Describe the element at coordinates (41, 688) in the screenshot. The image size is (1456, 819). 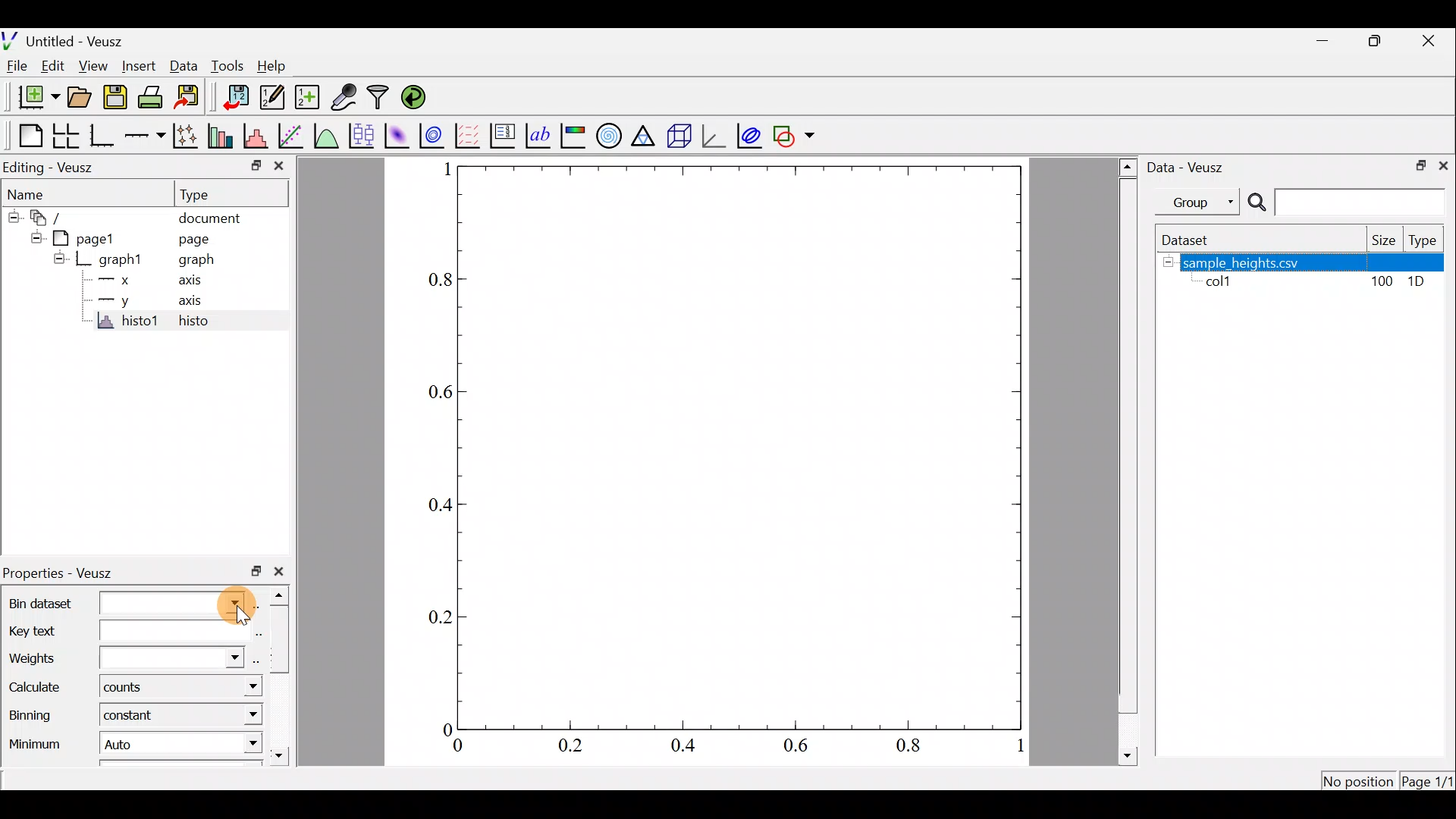
I see `Calculate` at that location.